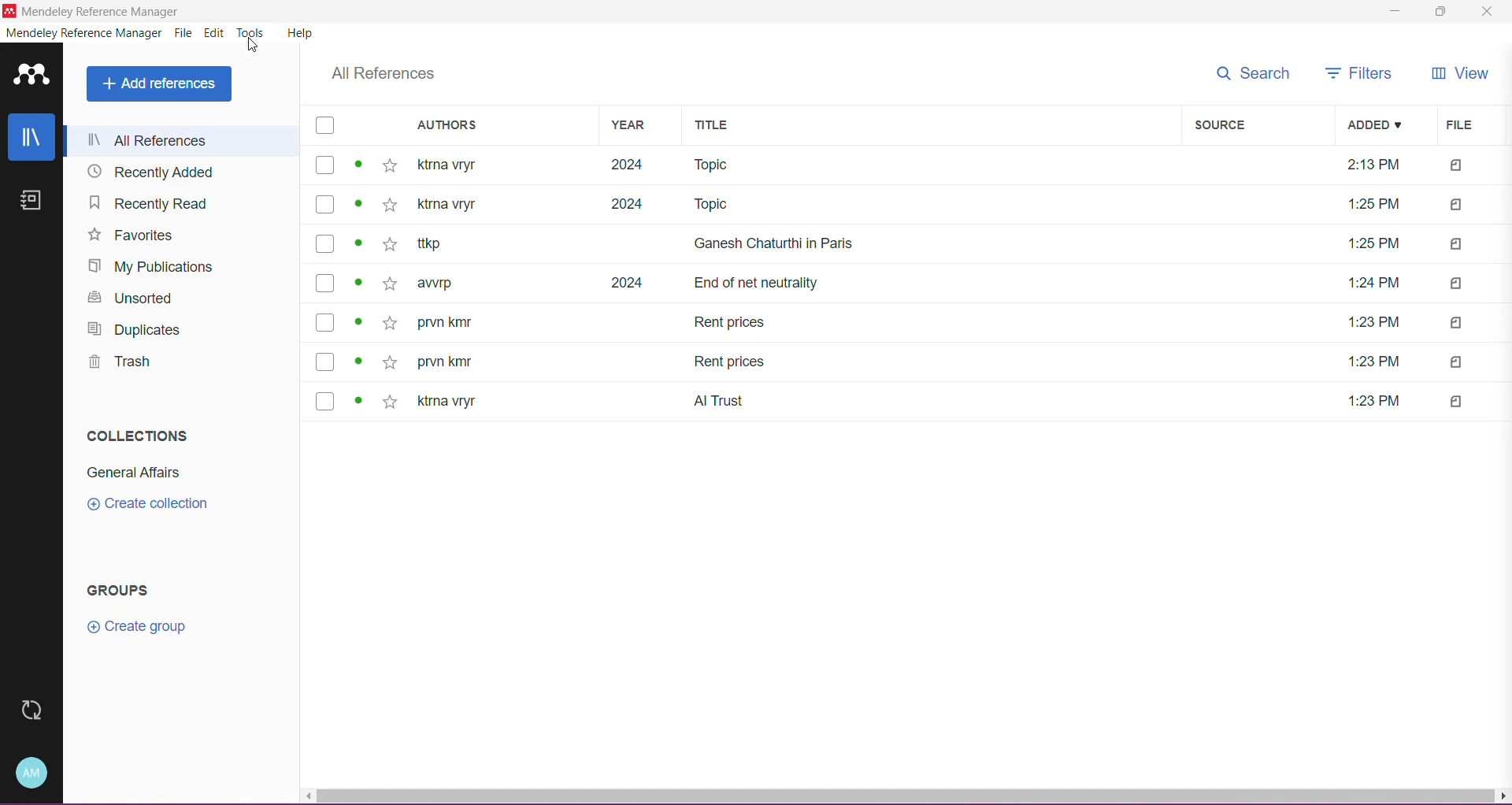 This screenshot has width=1512, height=805. What do you see at coordinates (1373, 243) in the screenshot?
I see `file` at bounding box center [1373, 243].